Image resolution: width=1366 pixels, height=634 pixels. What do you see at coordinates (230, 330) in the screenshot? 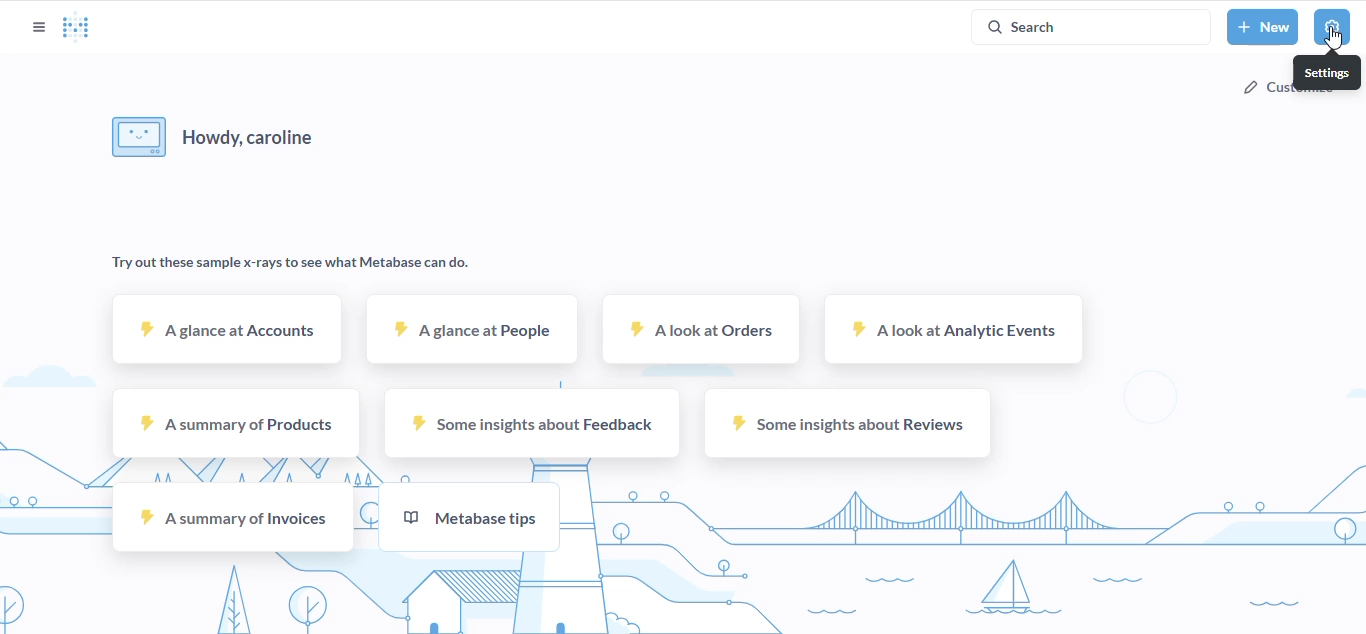
I see `a glance at accounts` at bounding box center [230, 330].